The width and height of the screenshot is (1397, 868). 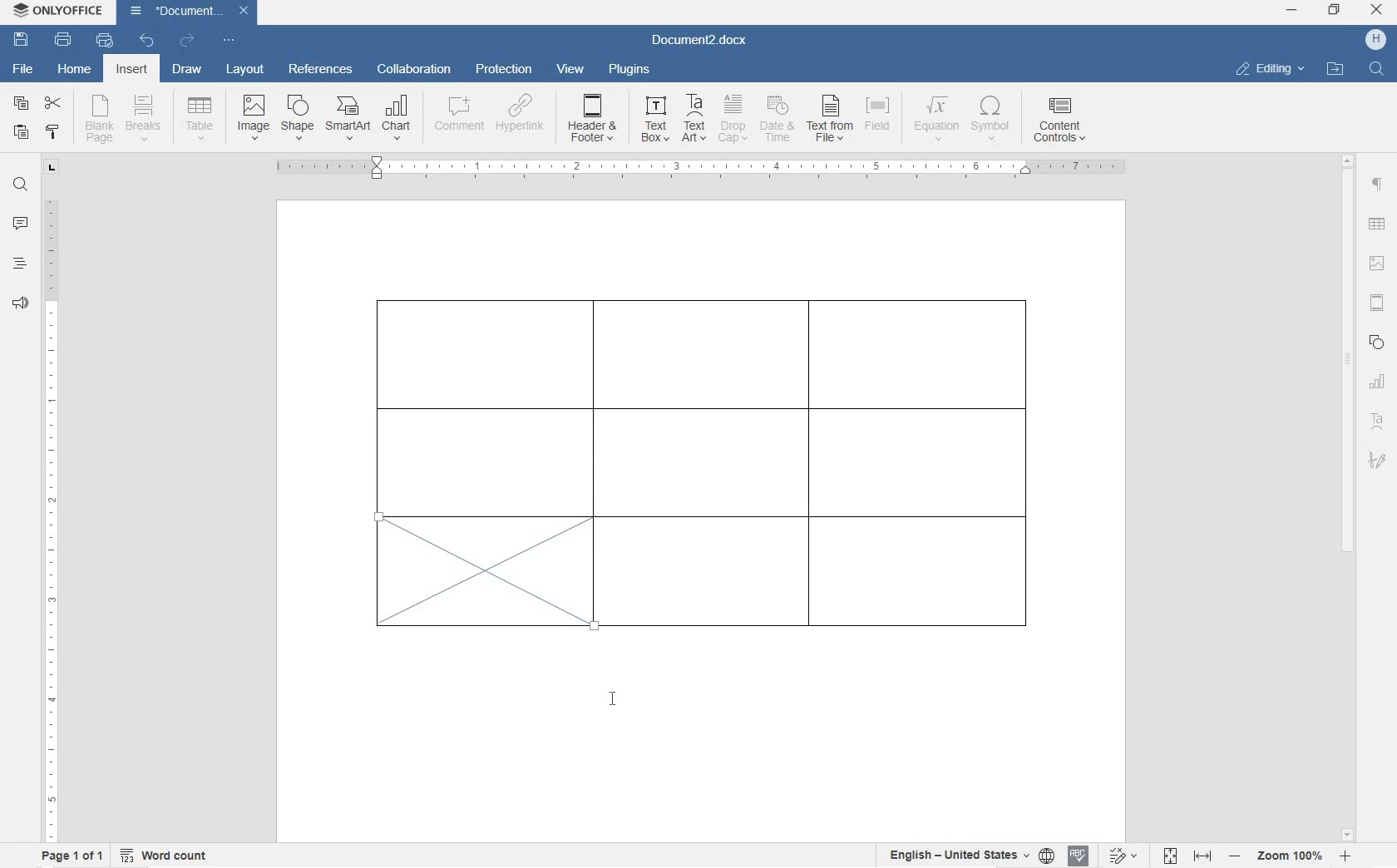 What do you see at coordinates (105, 40) in the screenshot?
I see `quick print` at bounding box center [105, 40].